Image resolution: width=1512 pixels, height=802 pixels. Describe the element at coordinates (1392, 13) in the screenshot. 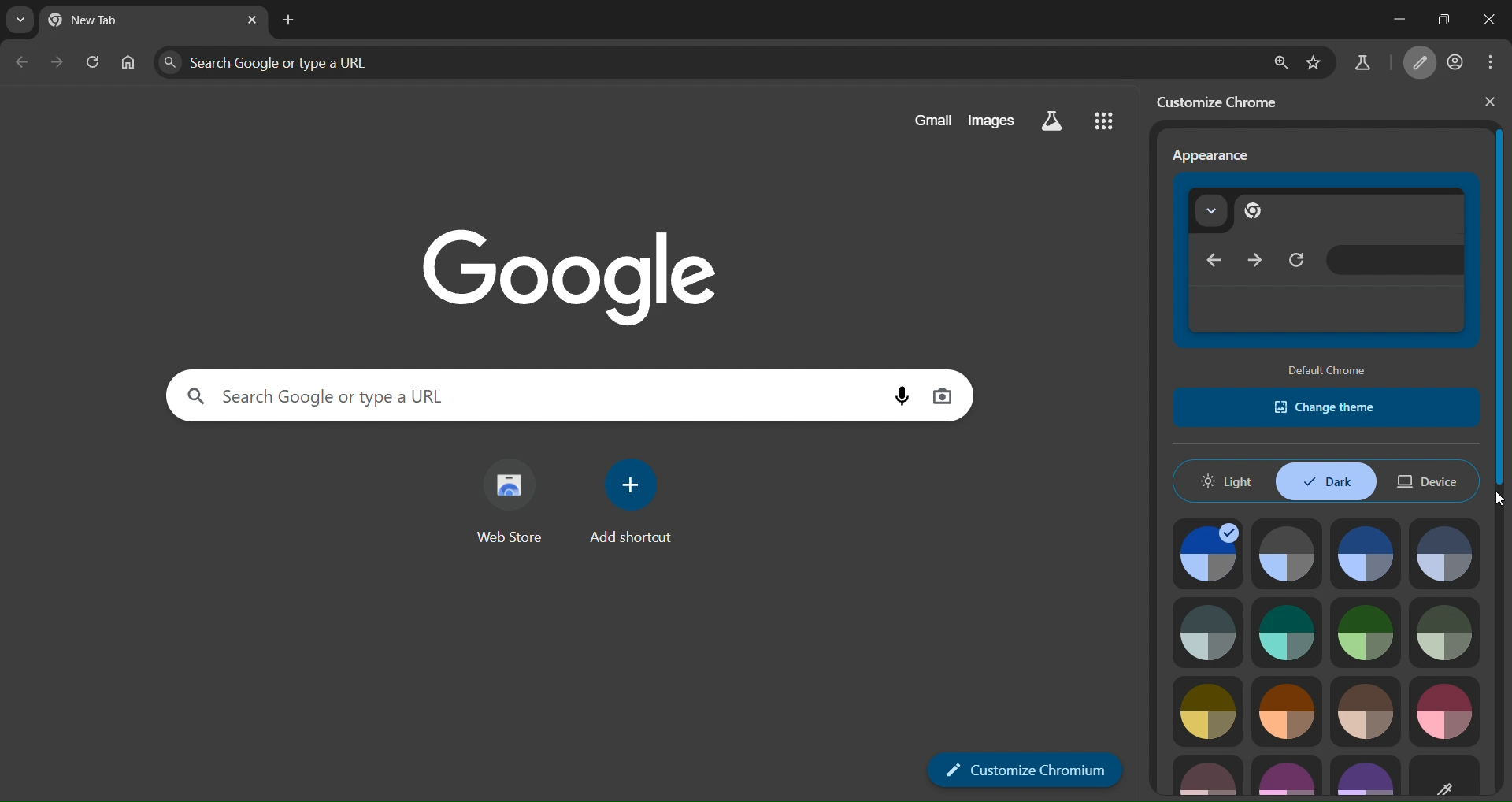

I see `minimize` at that location.